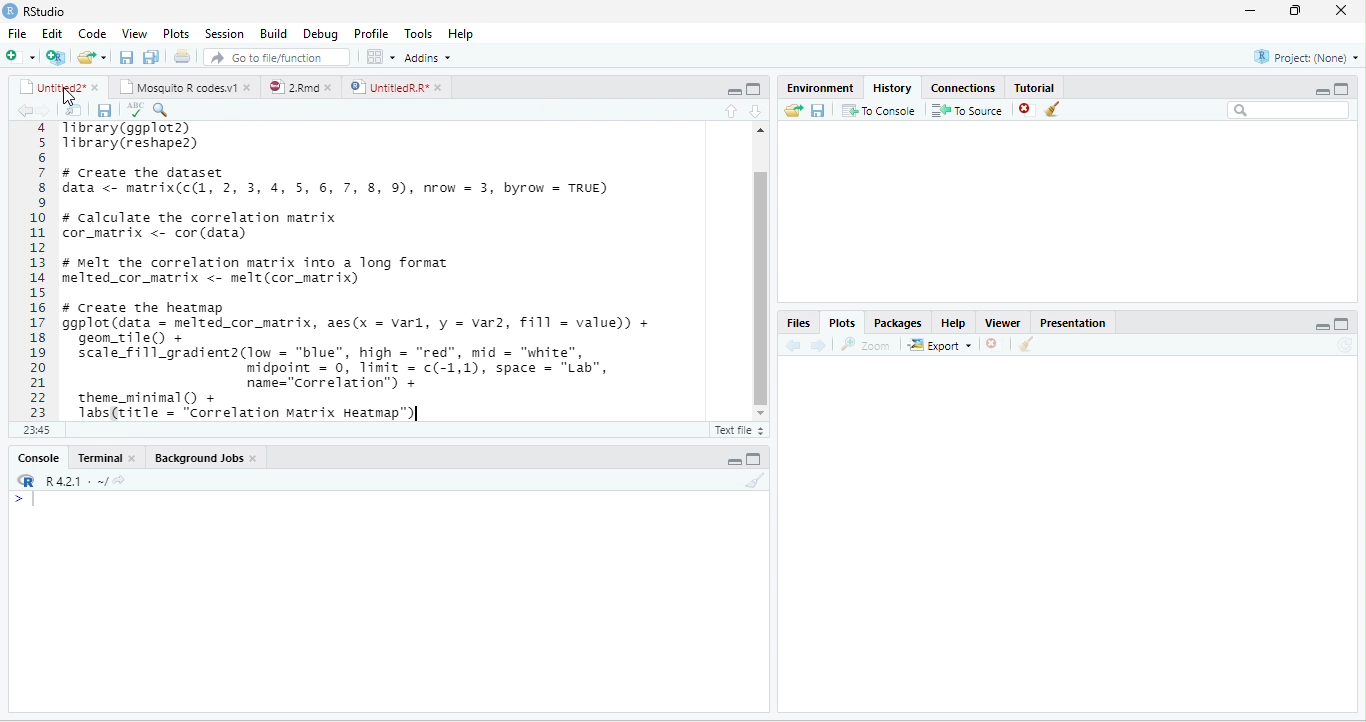 The image size is (1366, 722). I want to click on plots, so click(176, 33).